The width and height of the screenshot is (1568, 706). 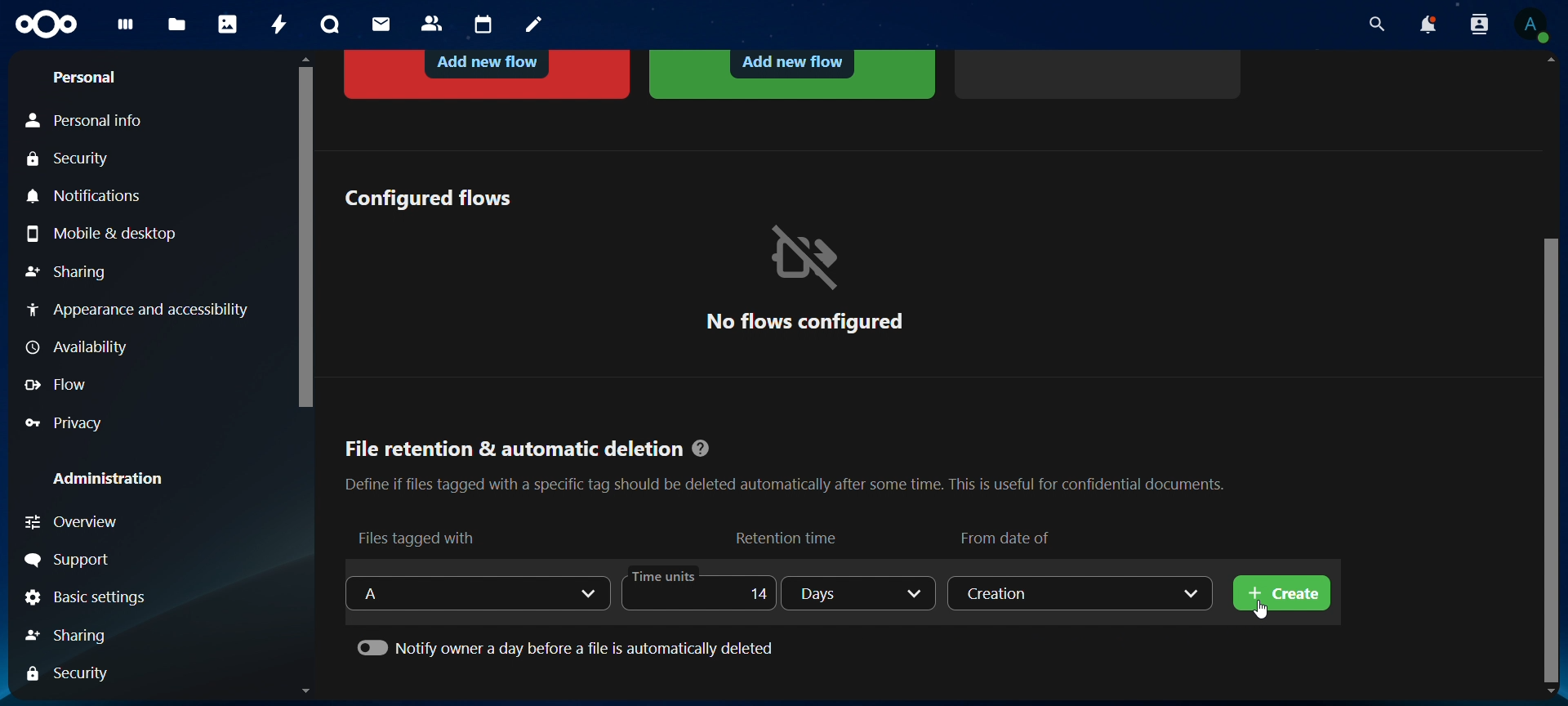 I want to click on search, so click(x=1373, y=25).